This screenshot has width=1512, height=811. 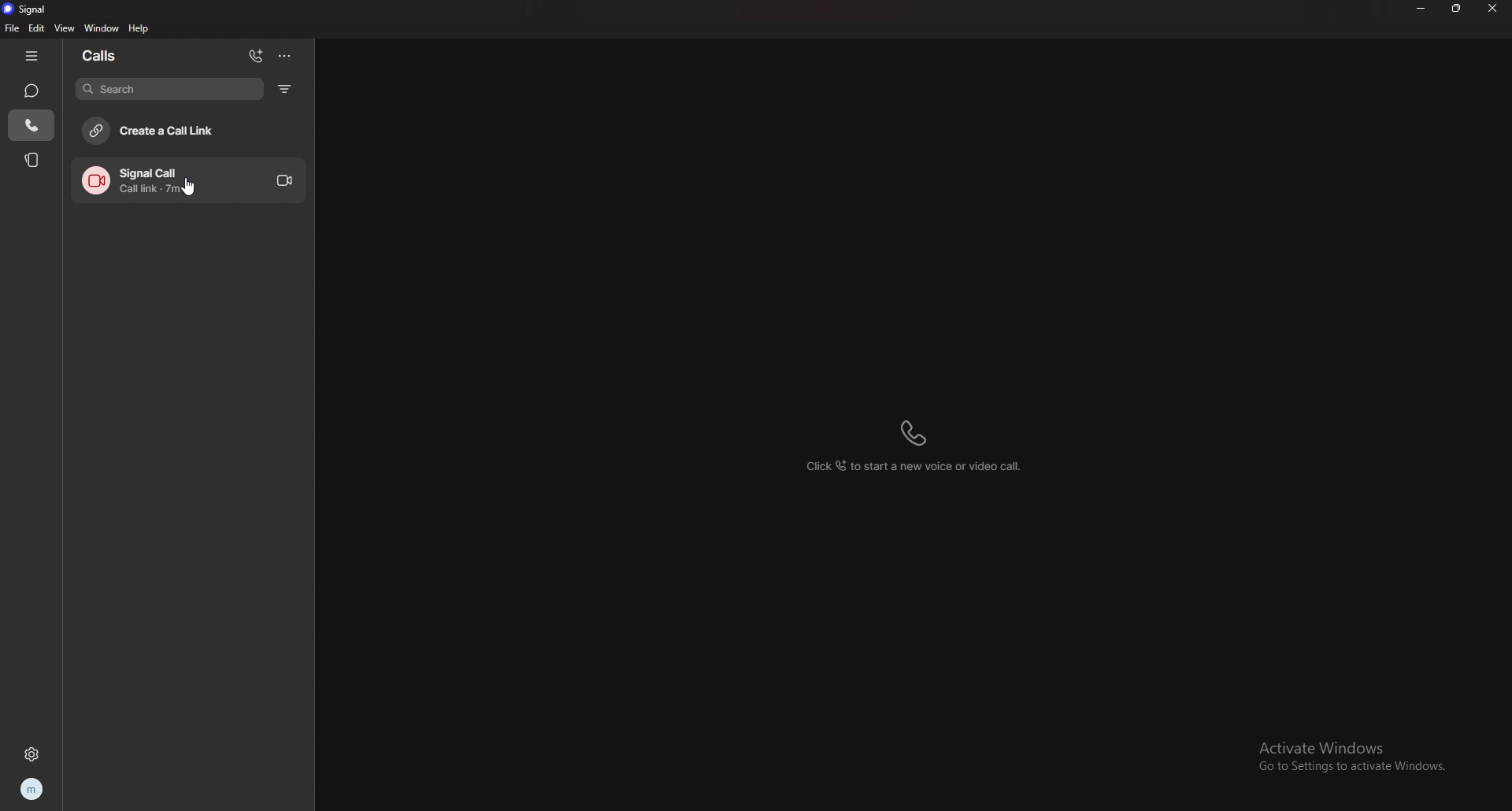 I want to click on profile, so click(x=31, y=790).